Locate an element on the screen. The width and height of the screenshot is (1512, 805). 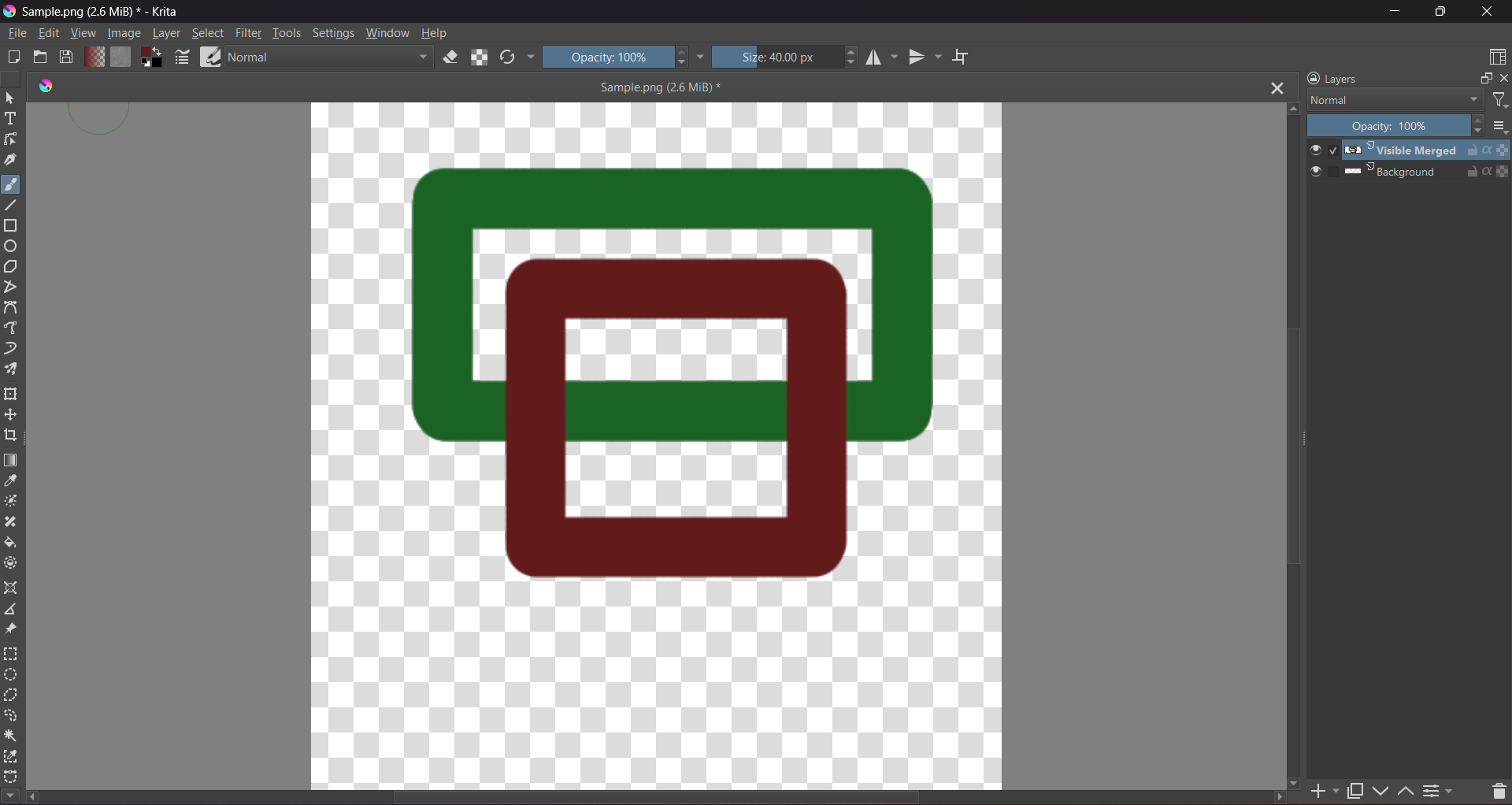
Filter is located at coordinates (1499, 101).